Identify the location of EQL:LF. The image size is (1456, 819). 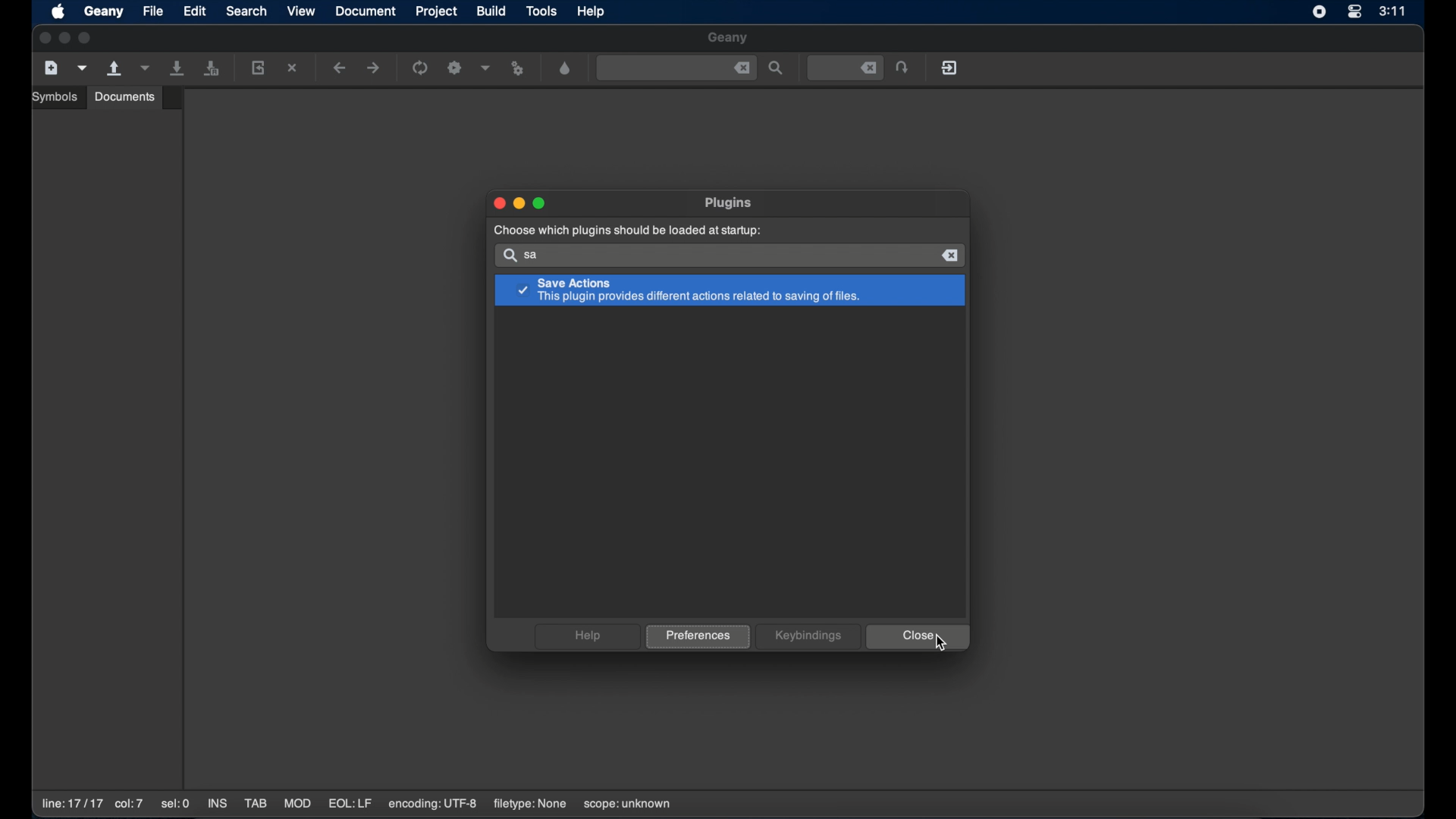
(350, 804).